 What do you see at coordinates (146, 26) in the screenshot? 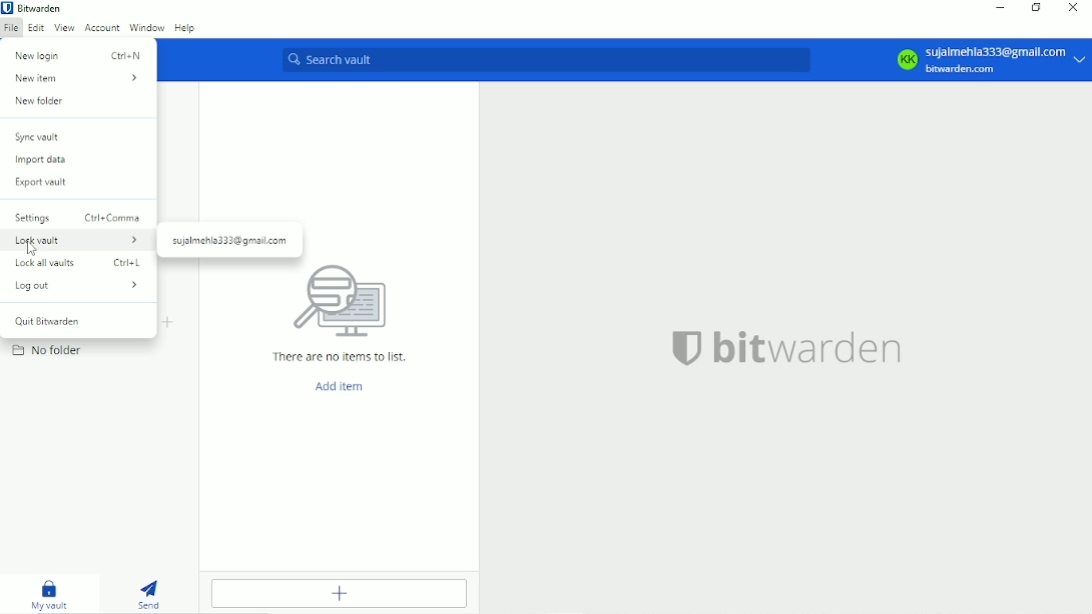
I see `Window` at bounding box center [146, 26].